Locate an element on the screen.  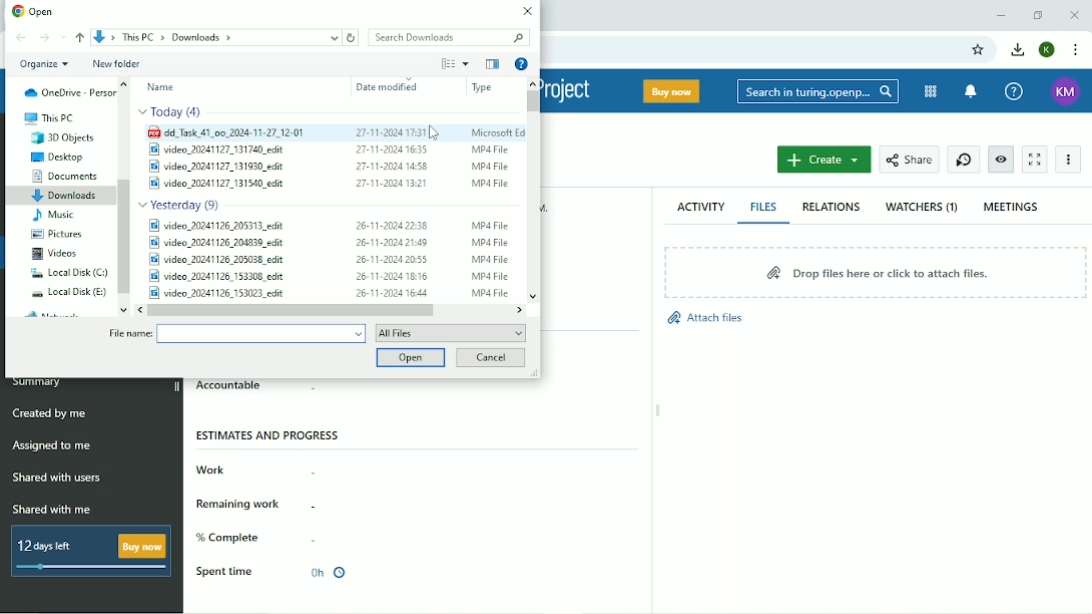
scroll down is located at coordinates (534, 290).